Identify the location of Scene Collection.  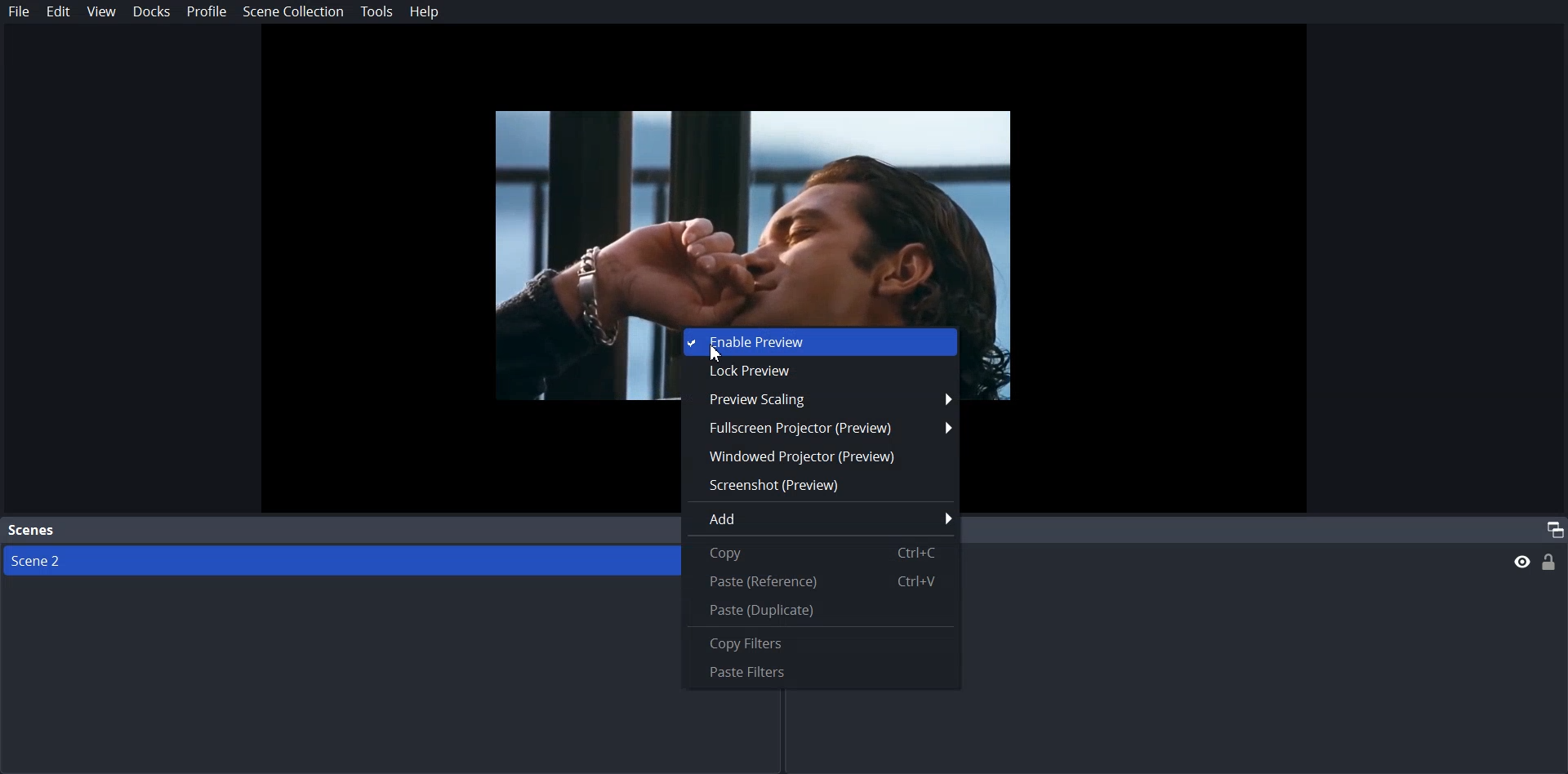
(293, 12).